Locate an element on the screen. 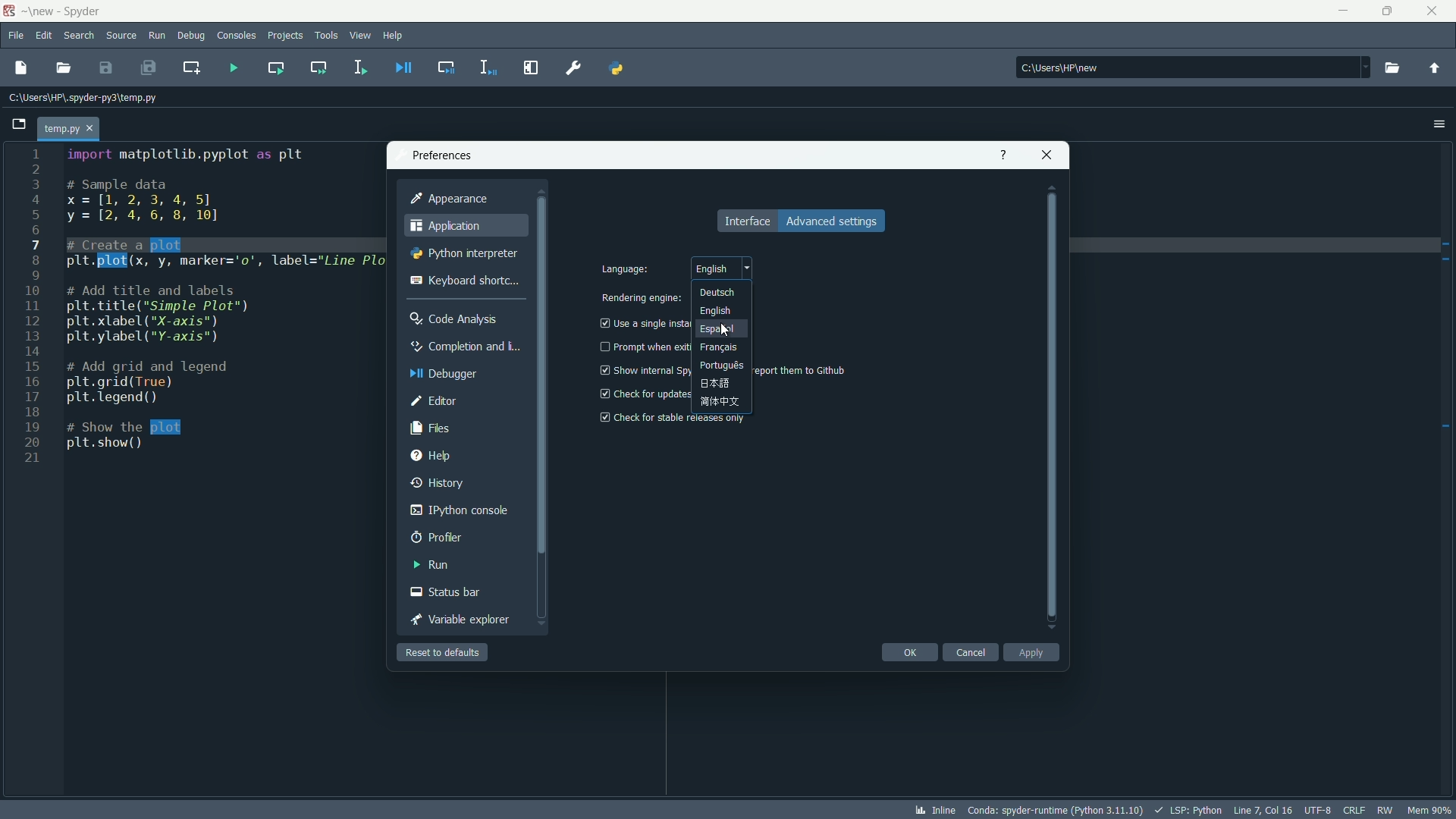  dropdown toggle is located at coordinates (1362, 67).